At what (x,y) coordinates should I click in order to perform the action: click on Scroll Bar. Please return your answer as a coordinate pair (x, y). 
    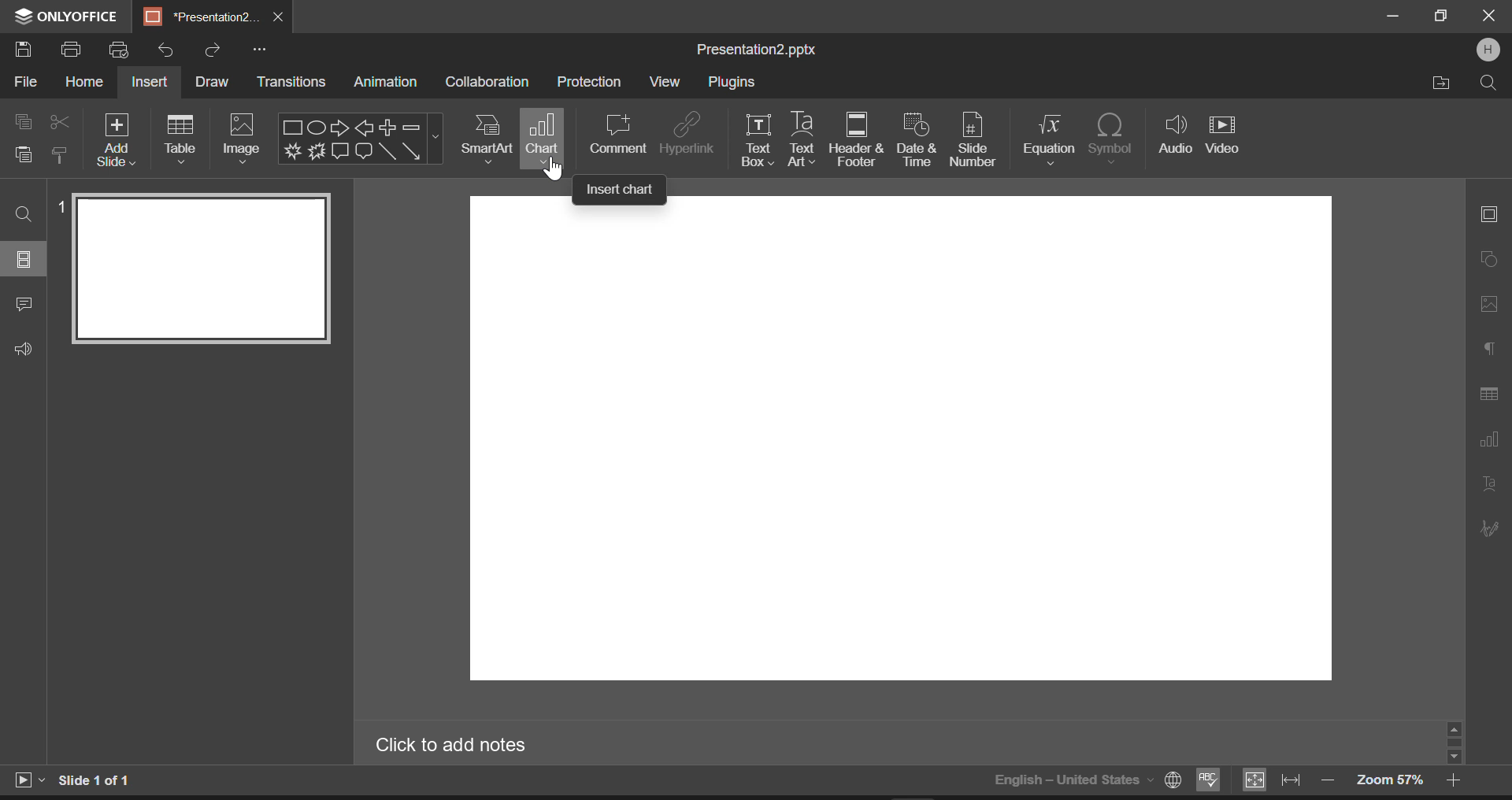
    Looking at the image, I should click on (1455, 742).